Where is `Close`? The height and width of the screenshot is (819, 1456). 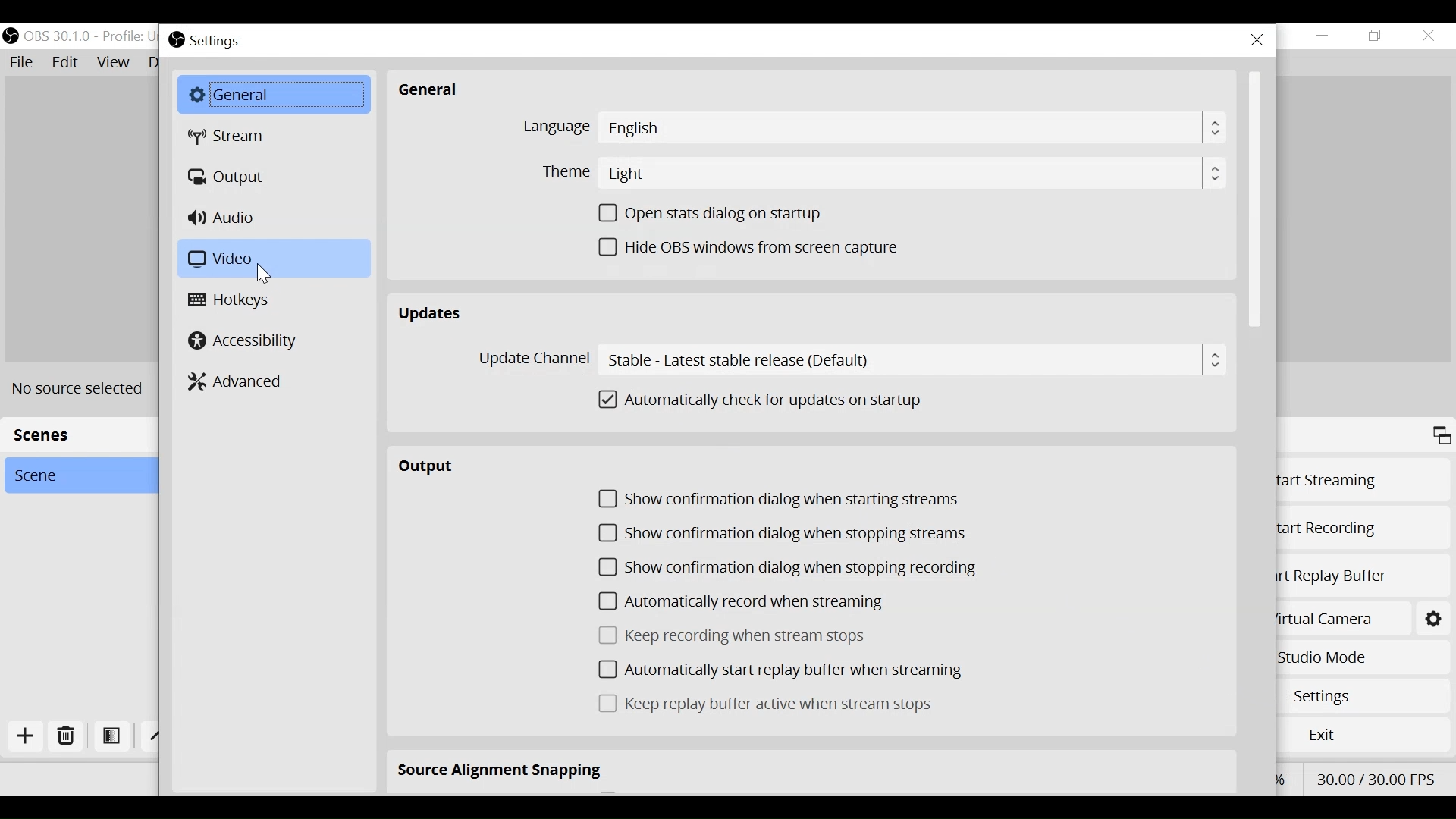
Close is located at coordinates (1428, 35).